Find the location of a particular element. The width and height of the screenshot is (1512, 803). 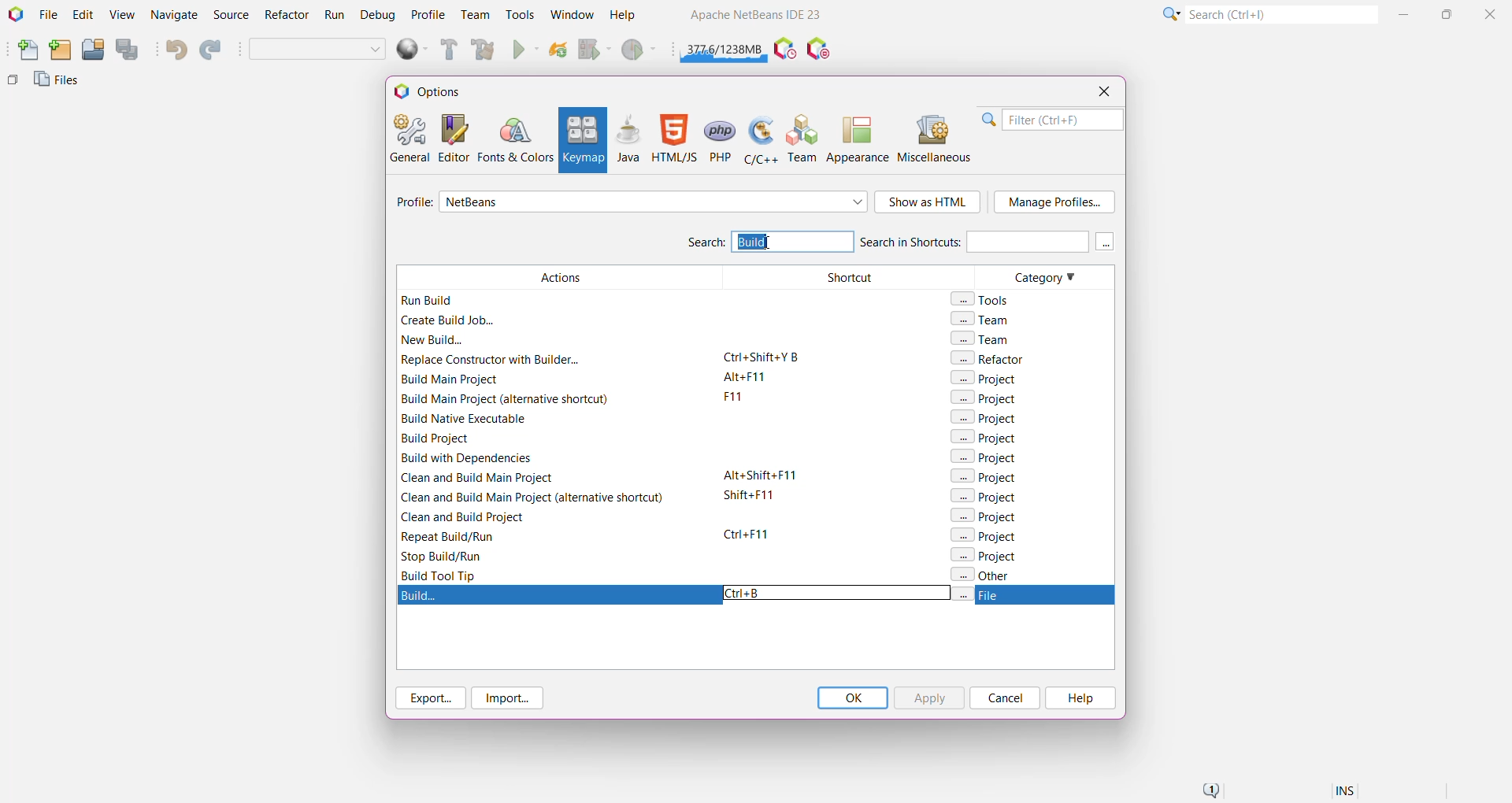

Reload is located at coordinates (558, 51).